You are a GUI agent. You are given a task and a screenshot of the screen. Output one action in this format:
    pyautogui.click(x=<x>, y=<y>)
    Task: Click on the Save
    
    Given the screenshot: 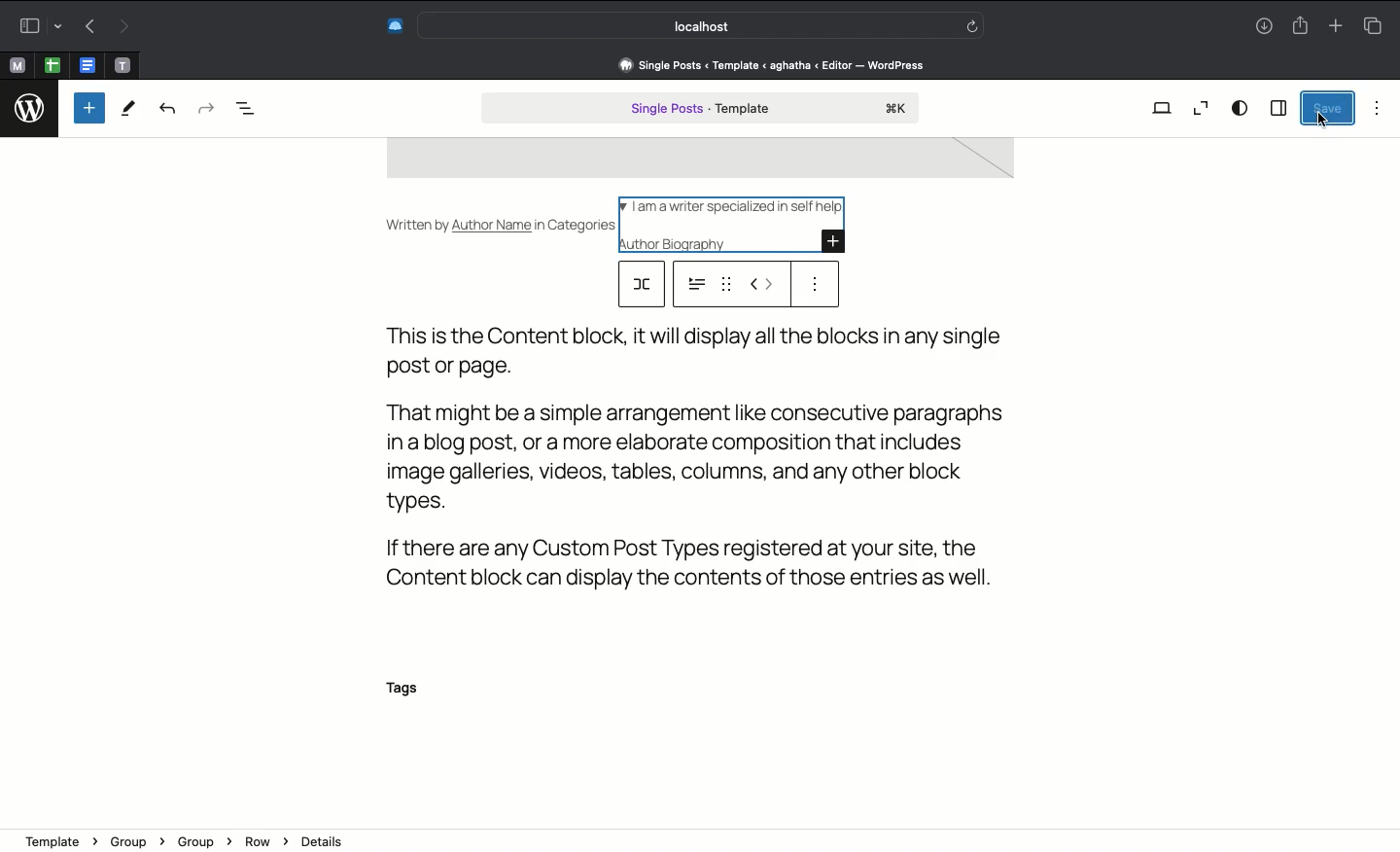 What is the action you would take?
    pyautogui.click(x=1326, y=104)
    